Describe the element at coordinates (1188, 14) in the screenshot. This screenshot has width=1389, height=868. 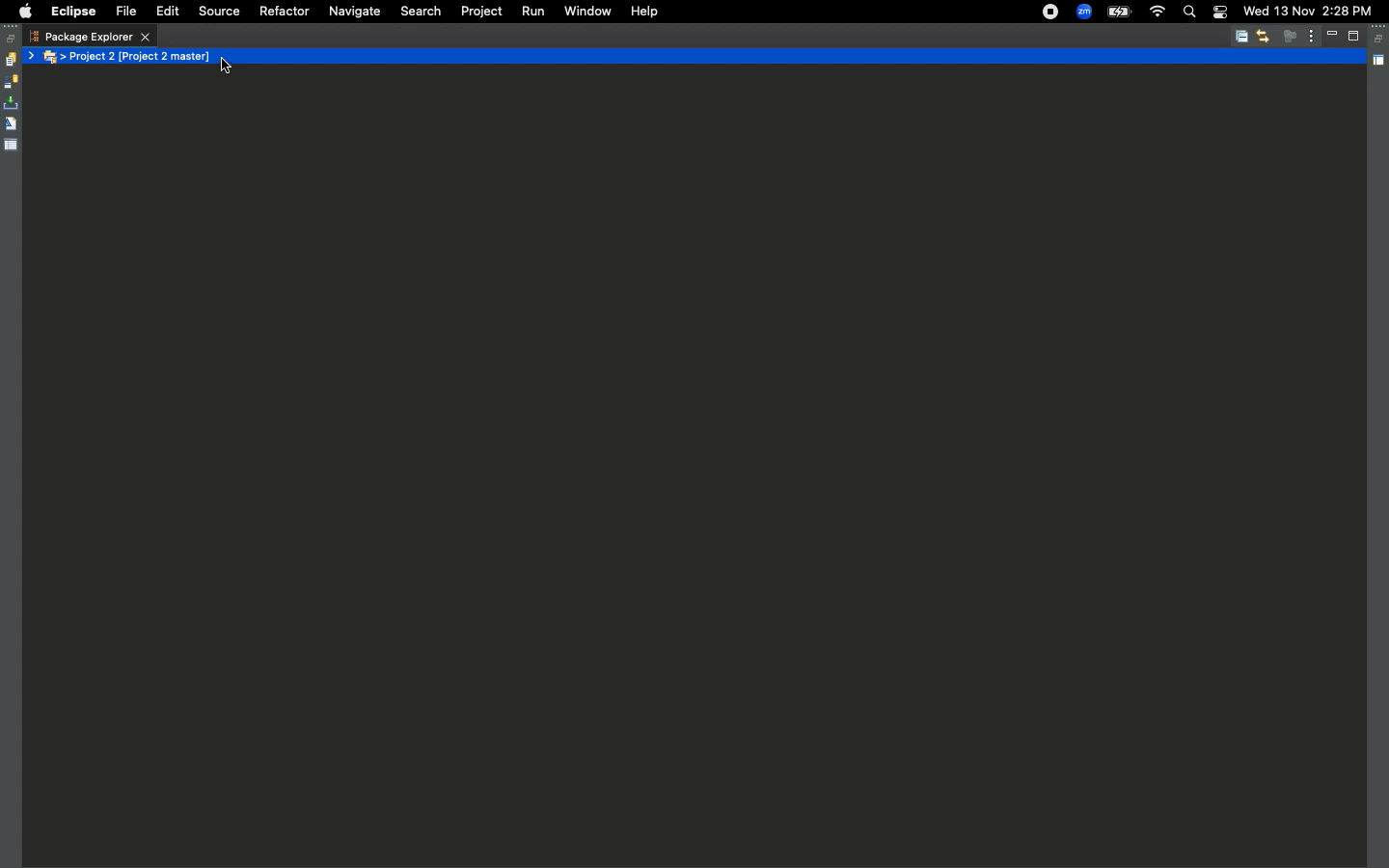
I see `Search` at that location.